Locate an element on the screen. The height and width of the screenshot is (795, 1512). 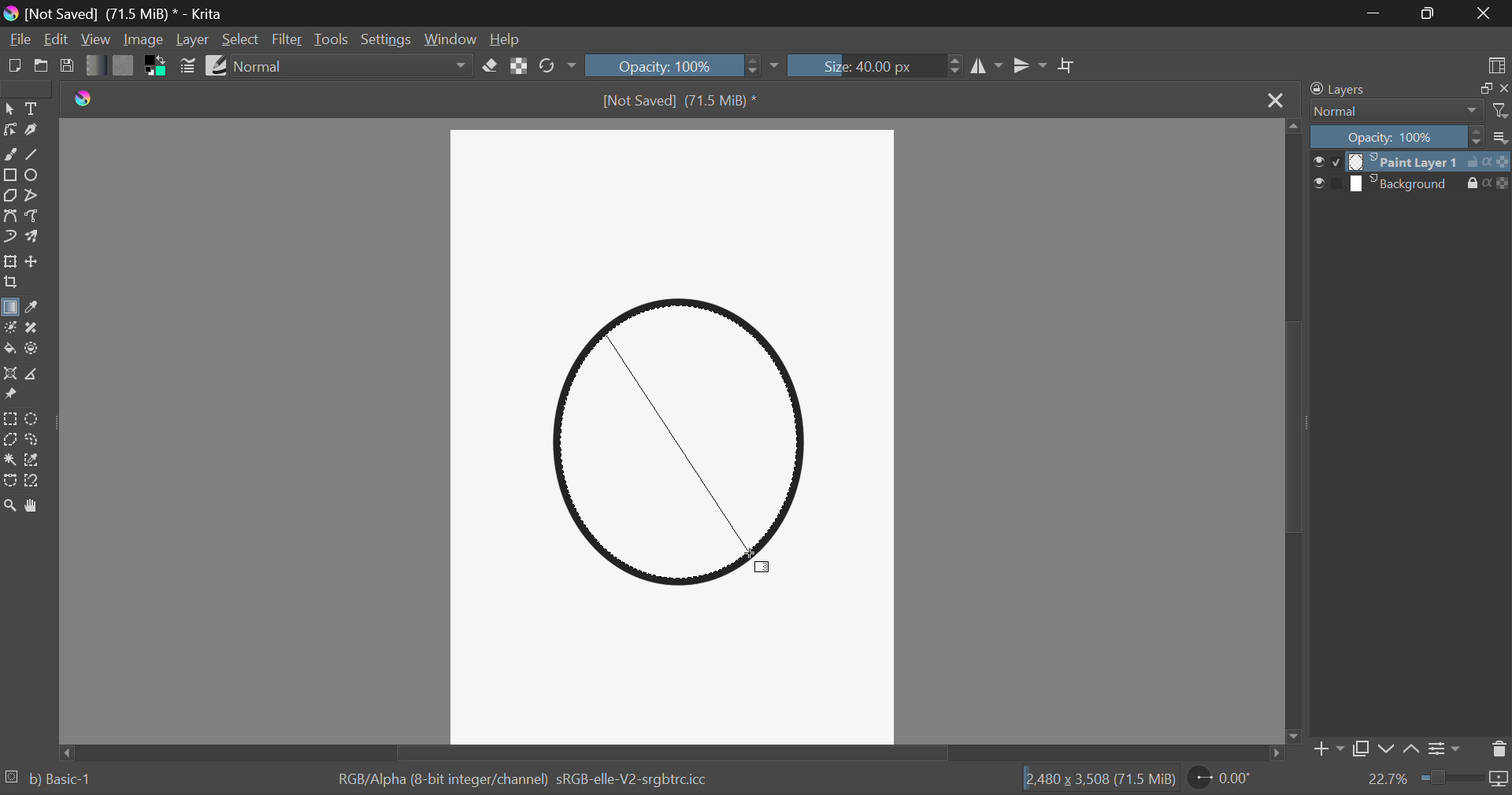
Reference Images is located at coordinates (10, 396).